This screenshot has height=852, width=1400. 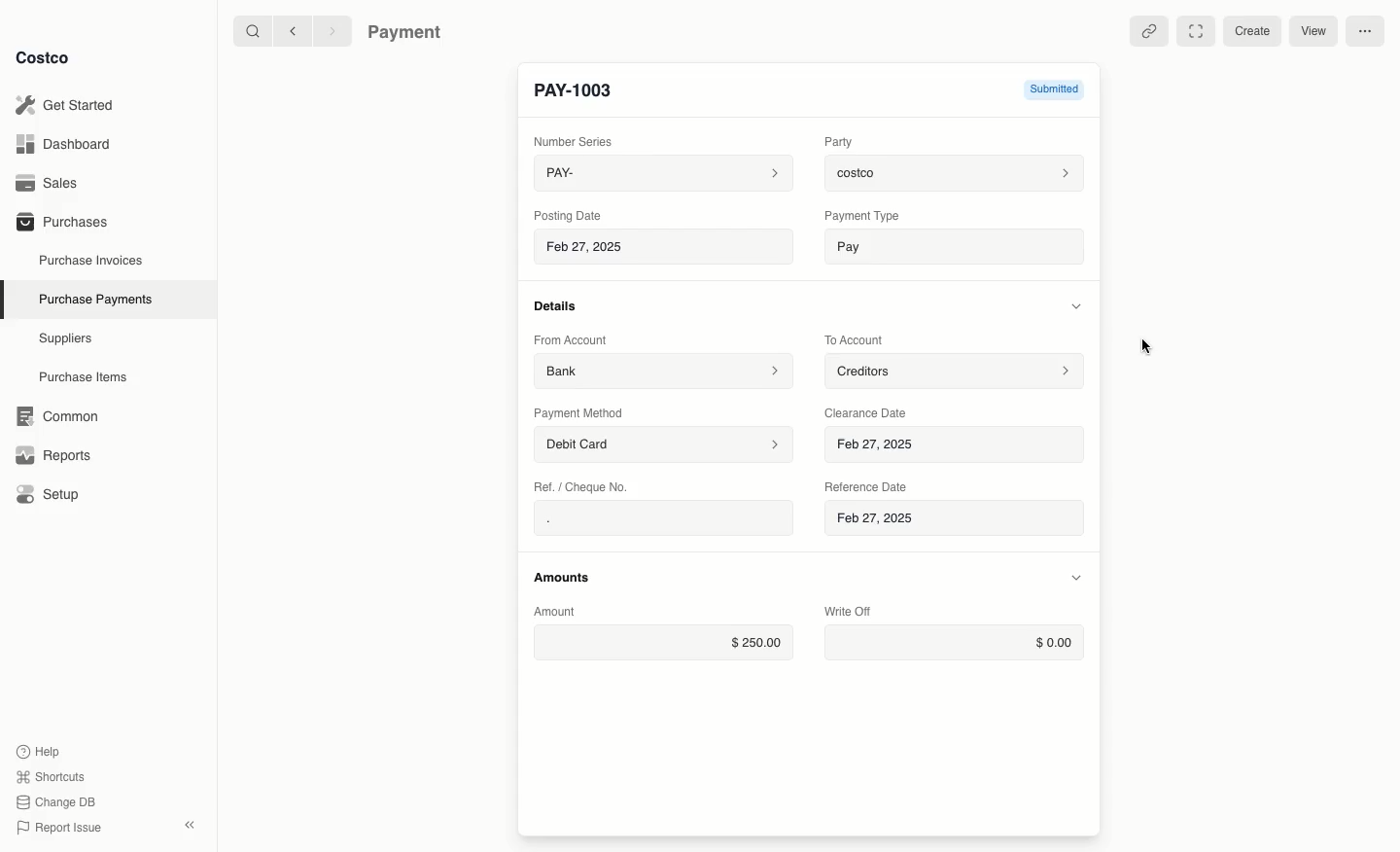 What do you see at coordinates (50, 775) in the screenshot?
I see `Shortcuts` at bounding box center [50, 775].